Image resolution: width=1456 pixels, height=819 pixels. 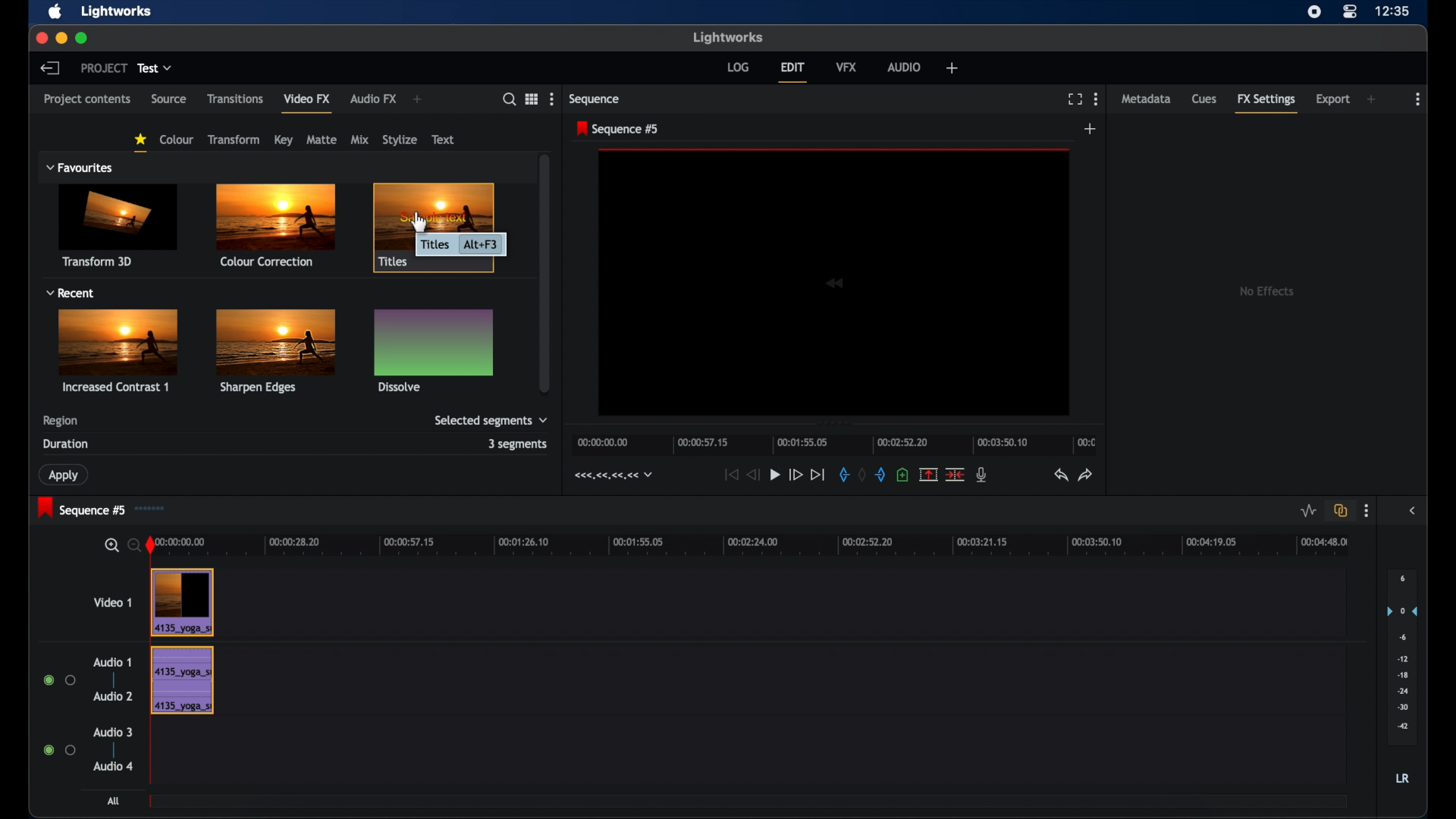 What do you see at coordinates (491, 421) in the screenshot?
I see `selected segments` at bounding box center [491, 421].